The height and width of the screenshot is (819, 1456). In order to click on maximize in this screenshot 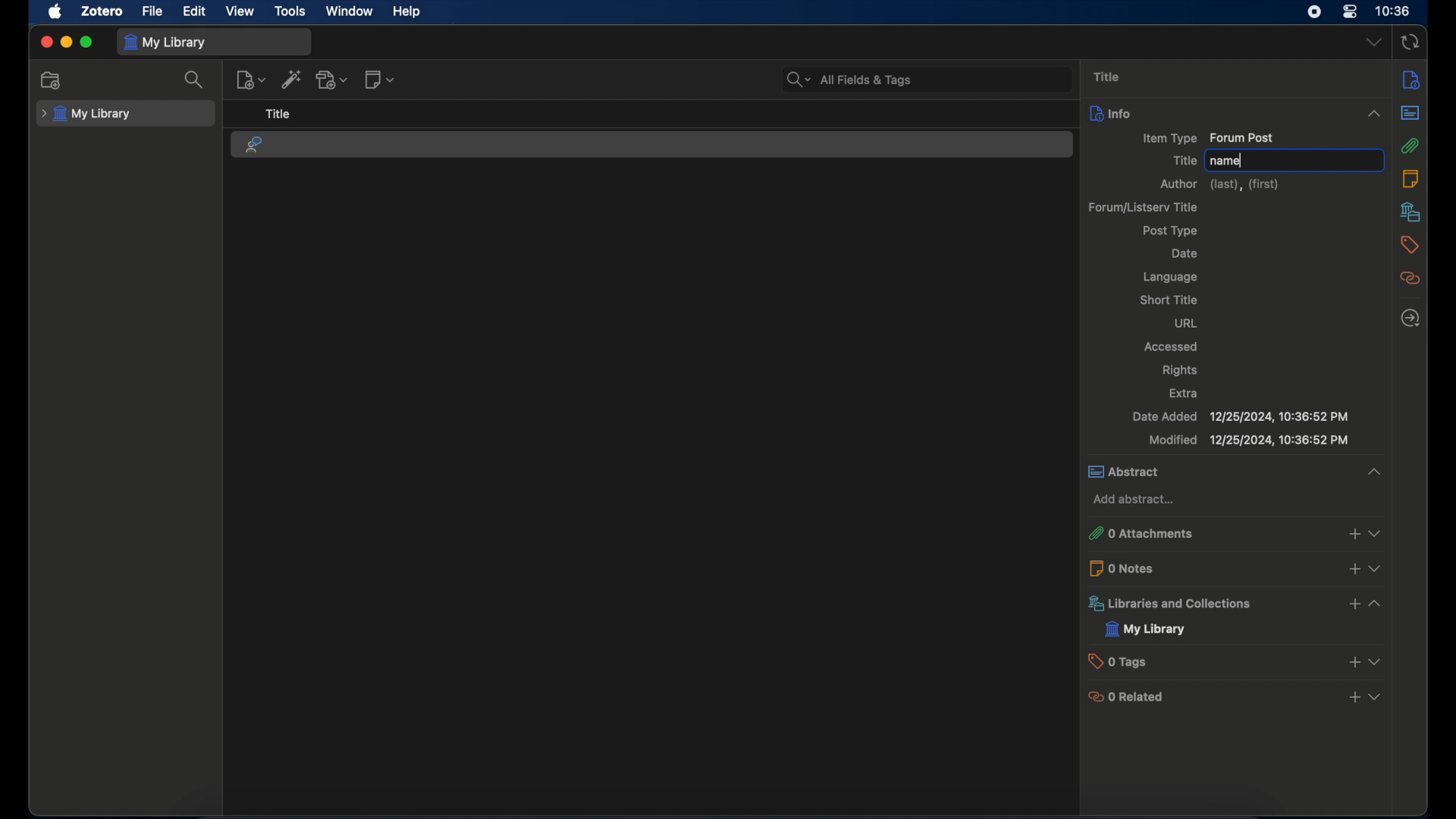, I will do `click(86, 42)`.